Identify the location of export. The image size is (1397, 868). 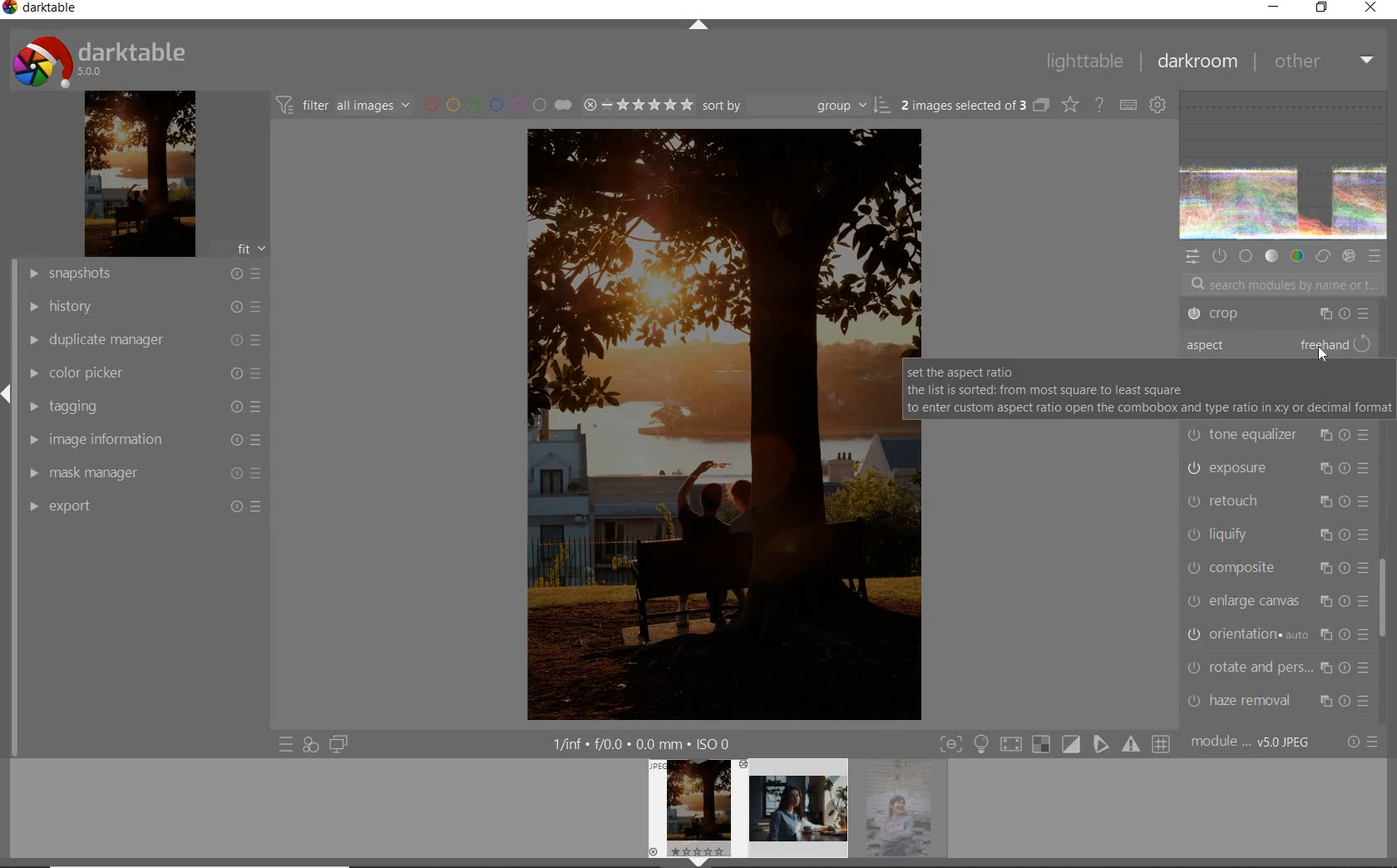
(143, 506).